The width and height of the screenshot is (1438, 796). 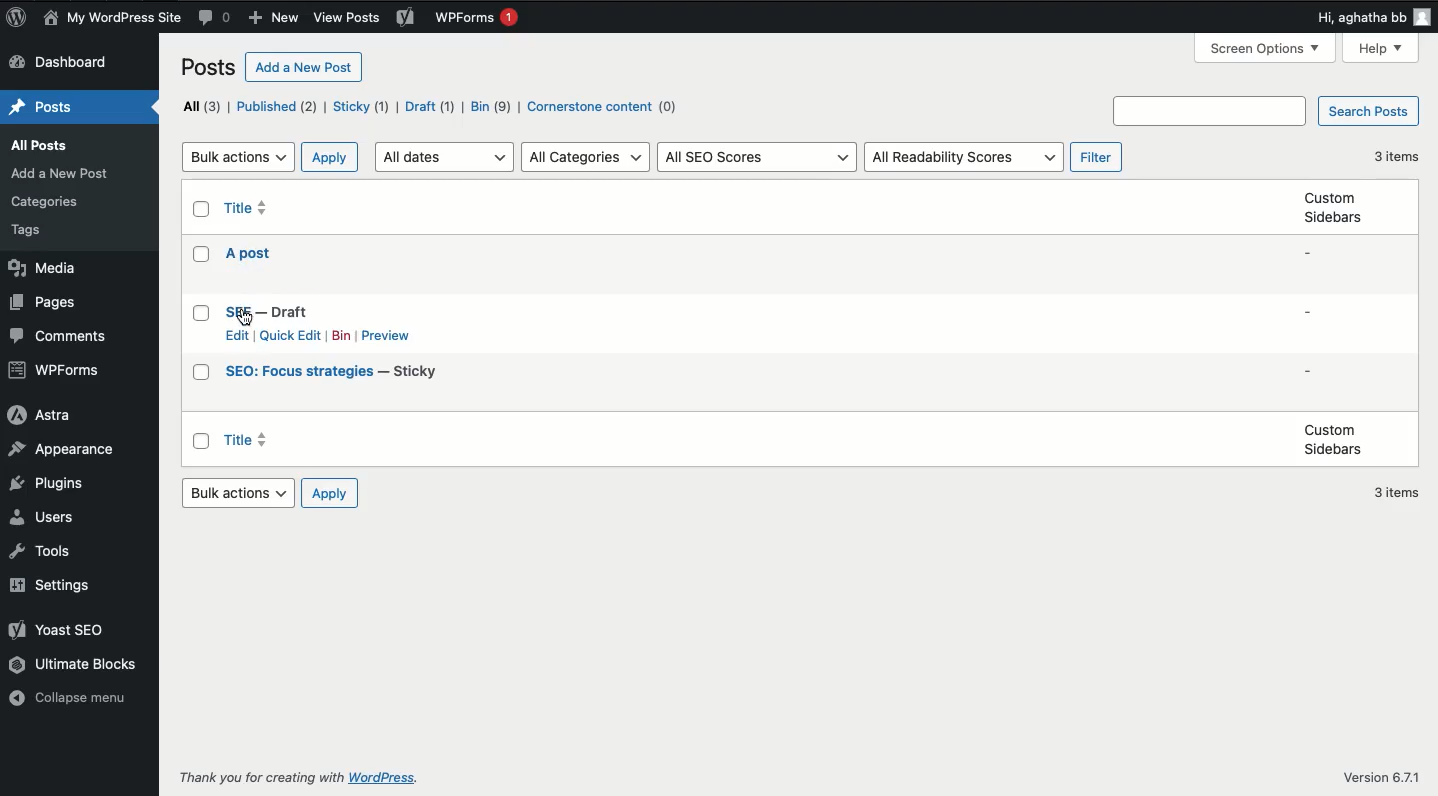 What do you see at coordinates (18, 19) in the screenshot?
I see `Logo` at bounding box center [18, 19].